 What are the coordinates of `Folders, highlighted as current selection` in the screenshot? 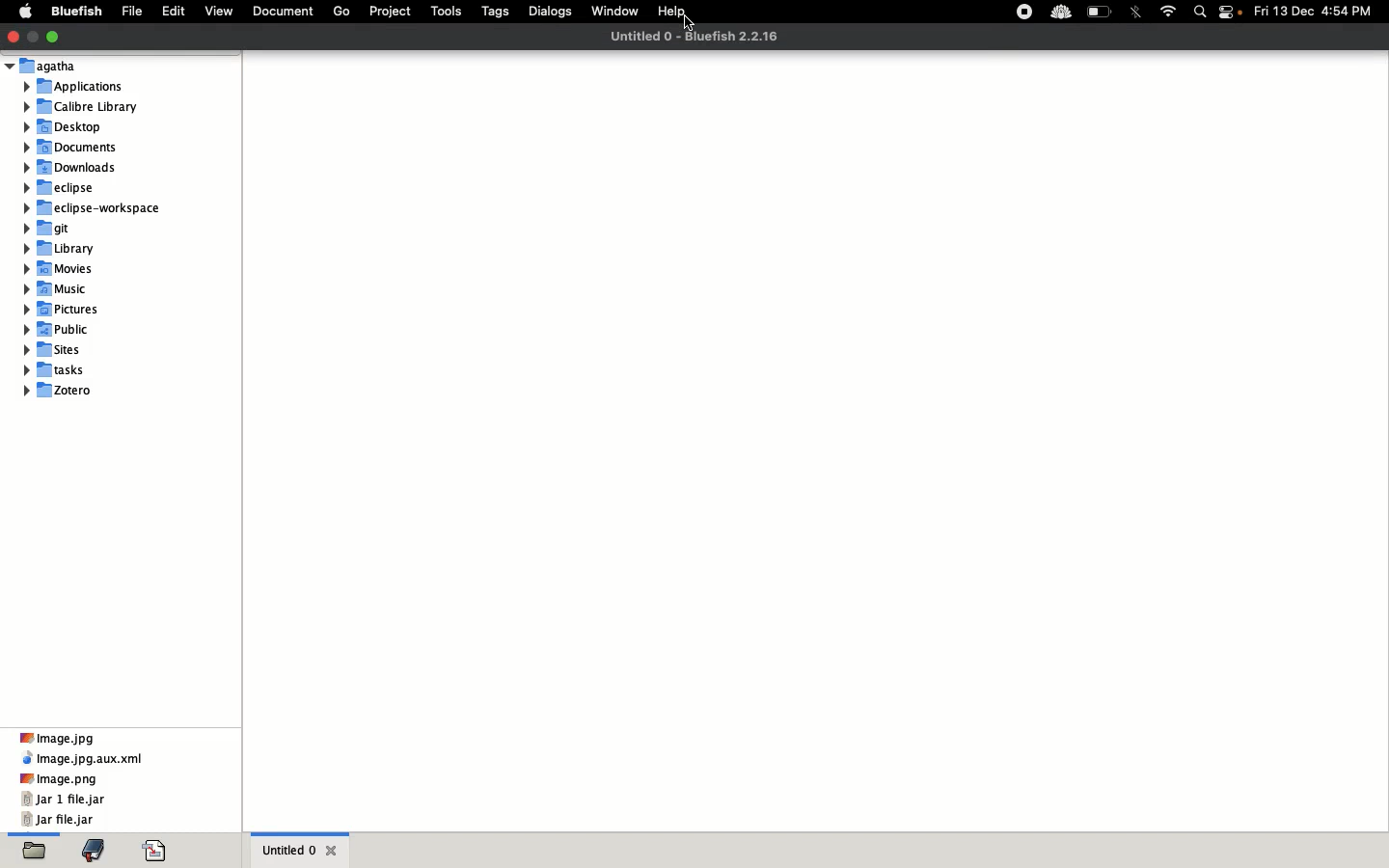 It's located at (34, 847).